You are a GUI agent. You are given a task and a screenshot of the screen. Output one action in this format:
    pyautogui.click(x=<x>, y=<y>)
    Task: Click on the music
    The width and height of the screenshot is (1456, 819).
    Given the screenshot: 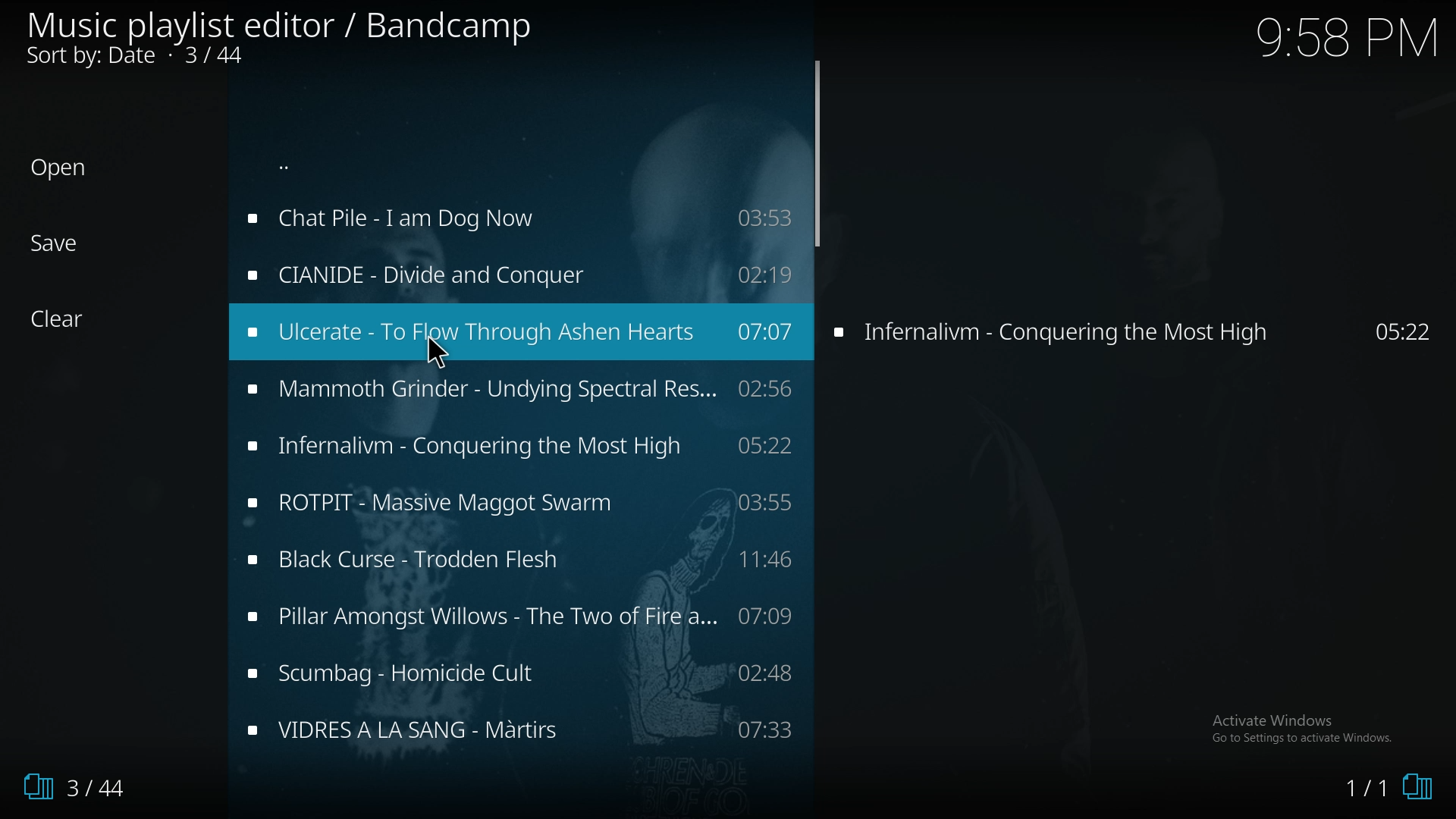 What is the action you would take?
    pyautogui.click(x=521, y=673)
    